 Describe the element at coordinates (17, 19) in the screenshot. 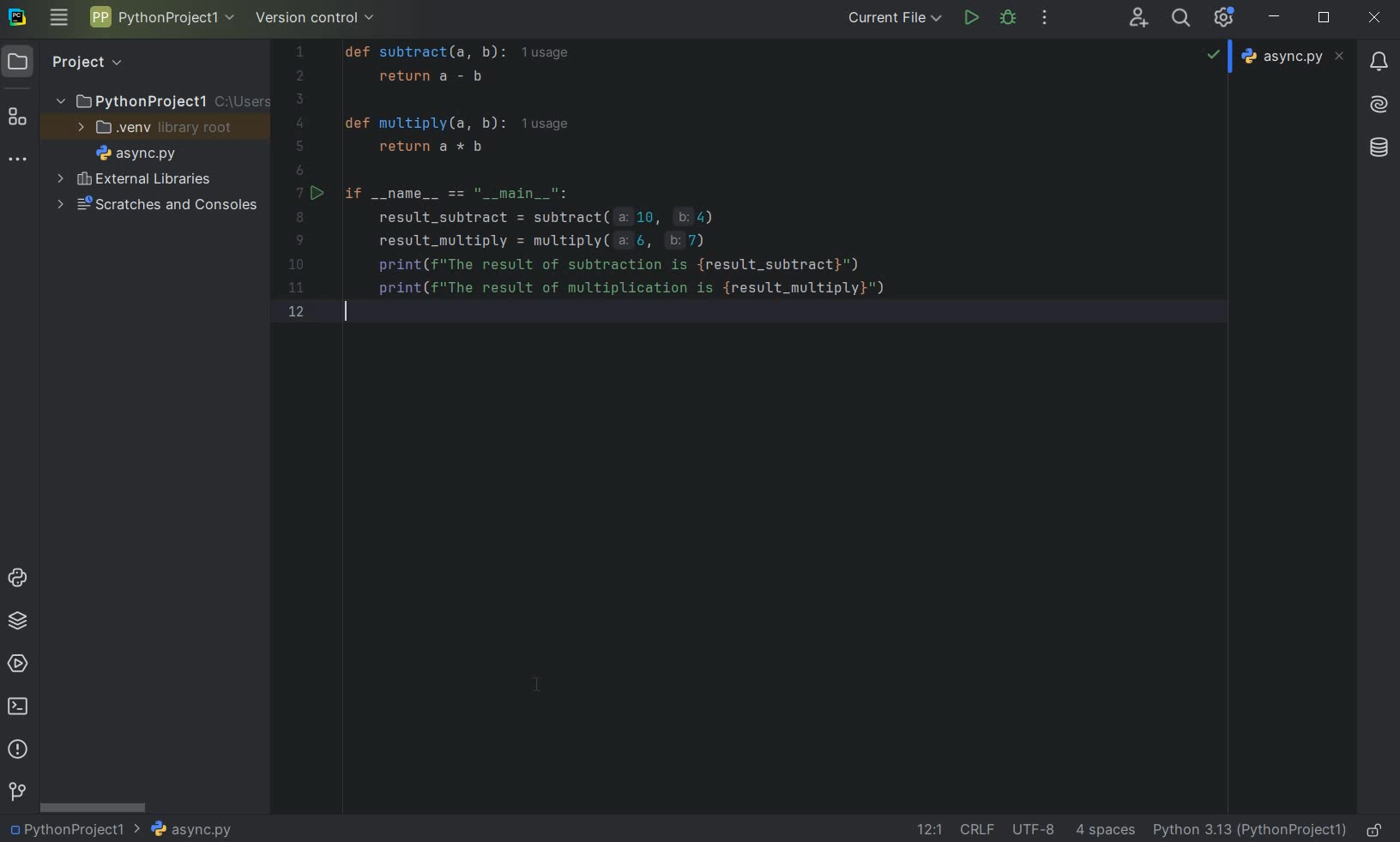

I see `system logo` at that location.